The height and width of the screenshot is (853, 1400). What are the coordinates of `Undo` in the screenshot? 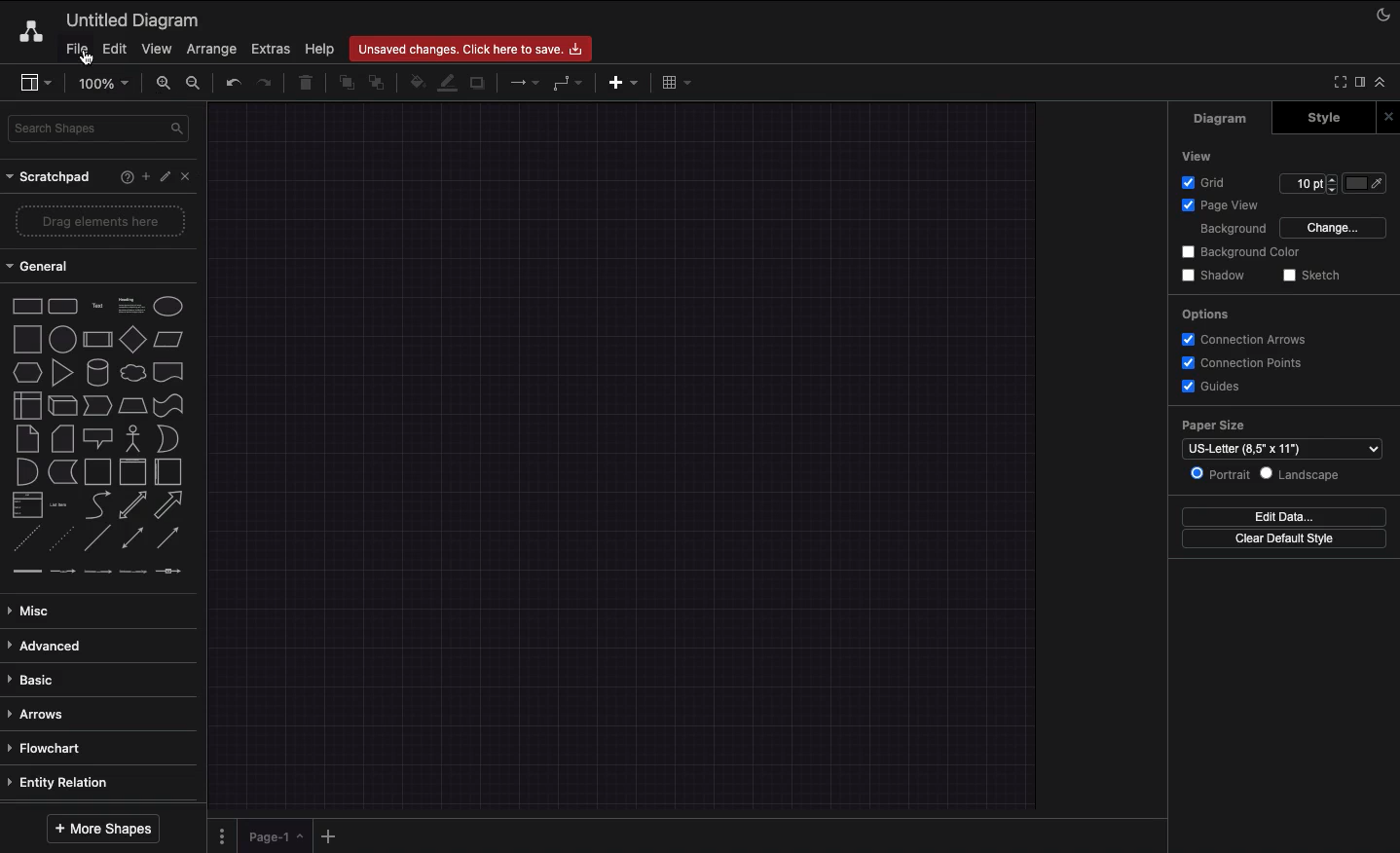 It's located at (232, 82).